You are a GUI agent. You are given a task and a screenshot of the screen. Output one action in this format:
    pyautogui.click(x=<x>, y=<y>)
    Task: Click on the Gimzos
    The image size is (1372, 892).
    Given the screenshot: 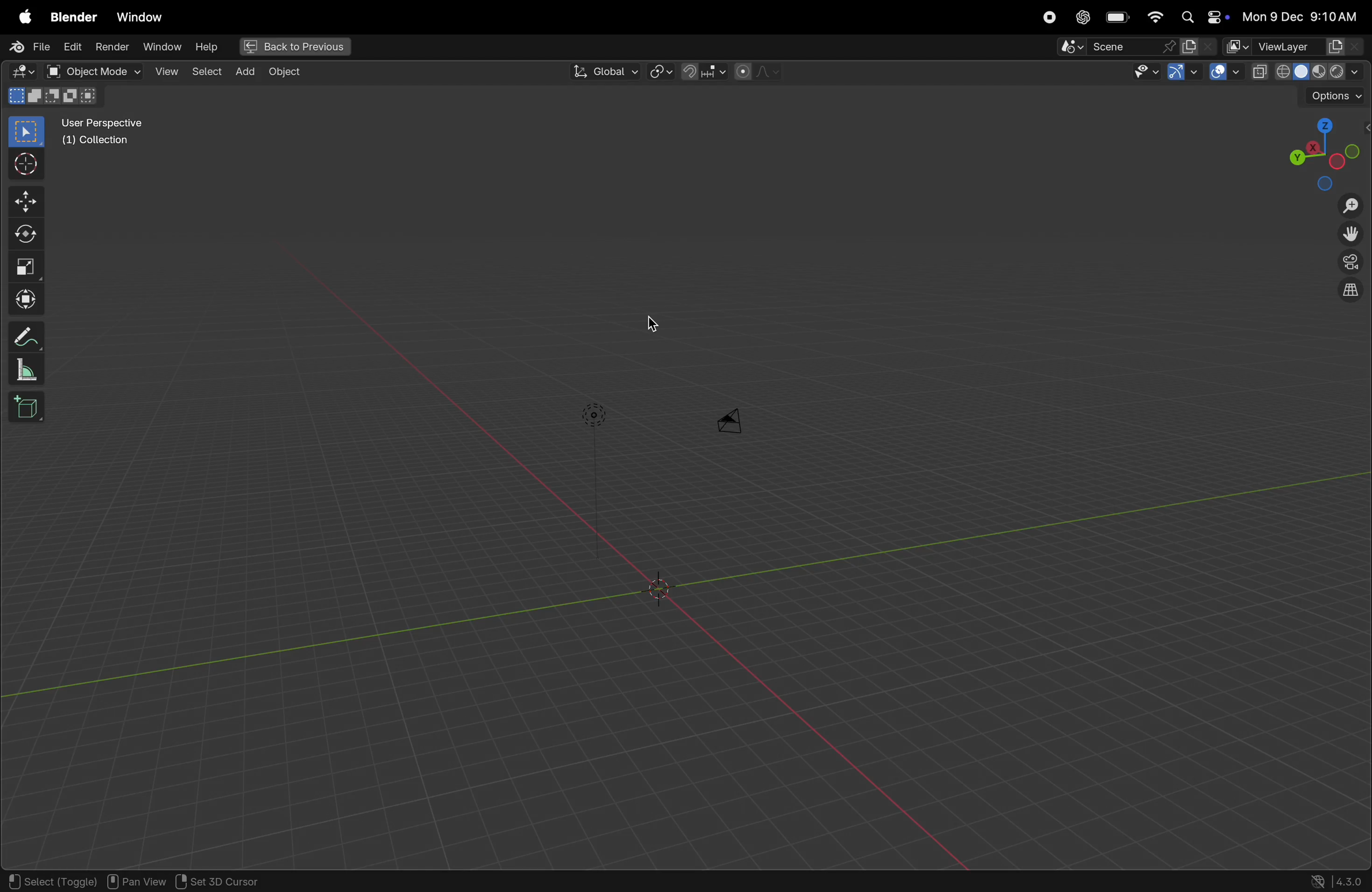 What is the action you would take?
    pyautogui.click(x=1182, y=73)
    